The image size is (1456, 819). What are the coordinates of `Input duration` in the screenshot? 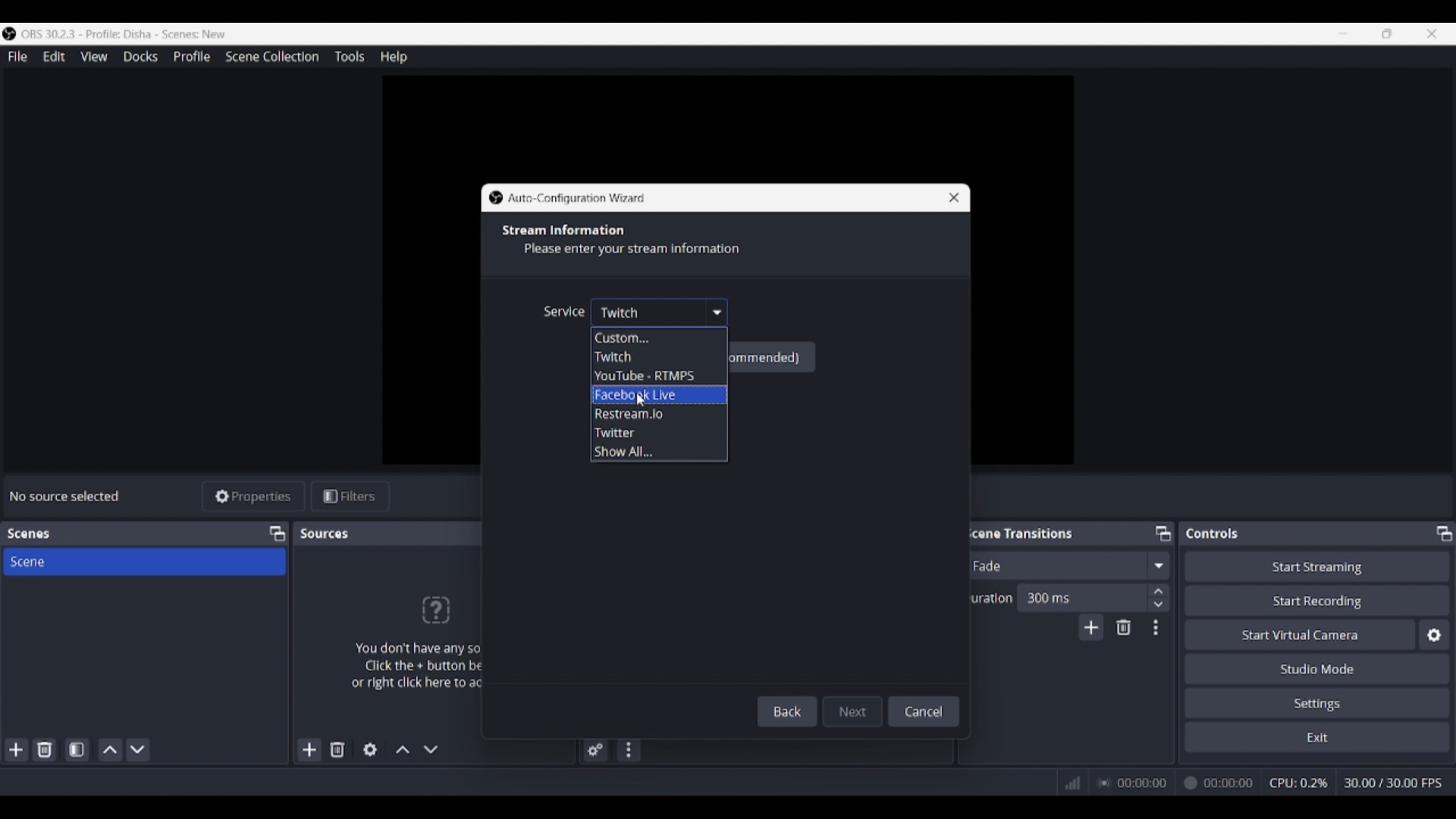 It's located at (1081, 597).